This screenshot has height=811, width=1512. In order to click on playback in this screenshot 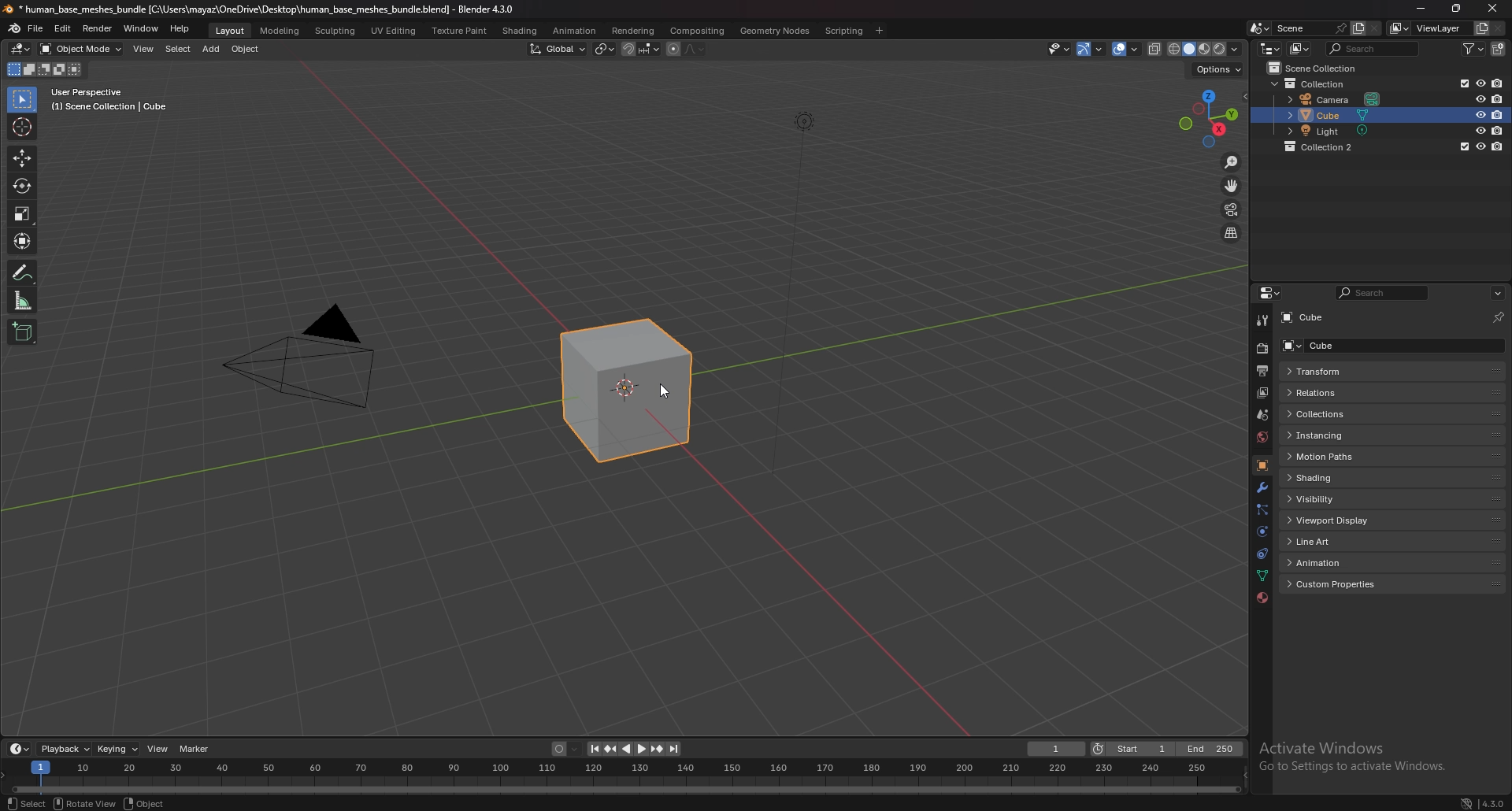, I will do `click(65, 749)`.